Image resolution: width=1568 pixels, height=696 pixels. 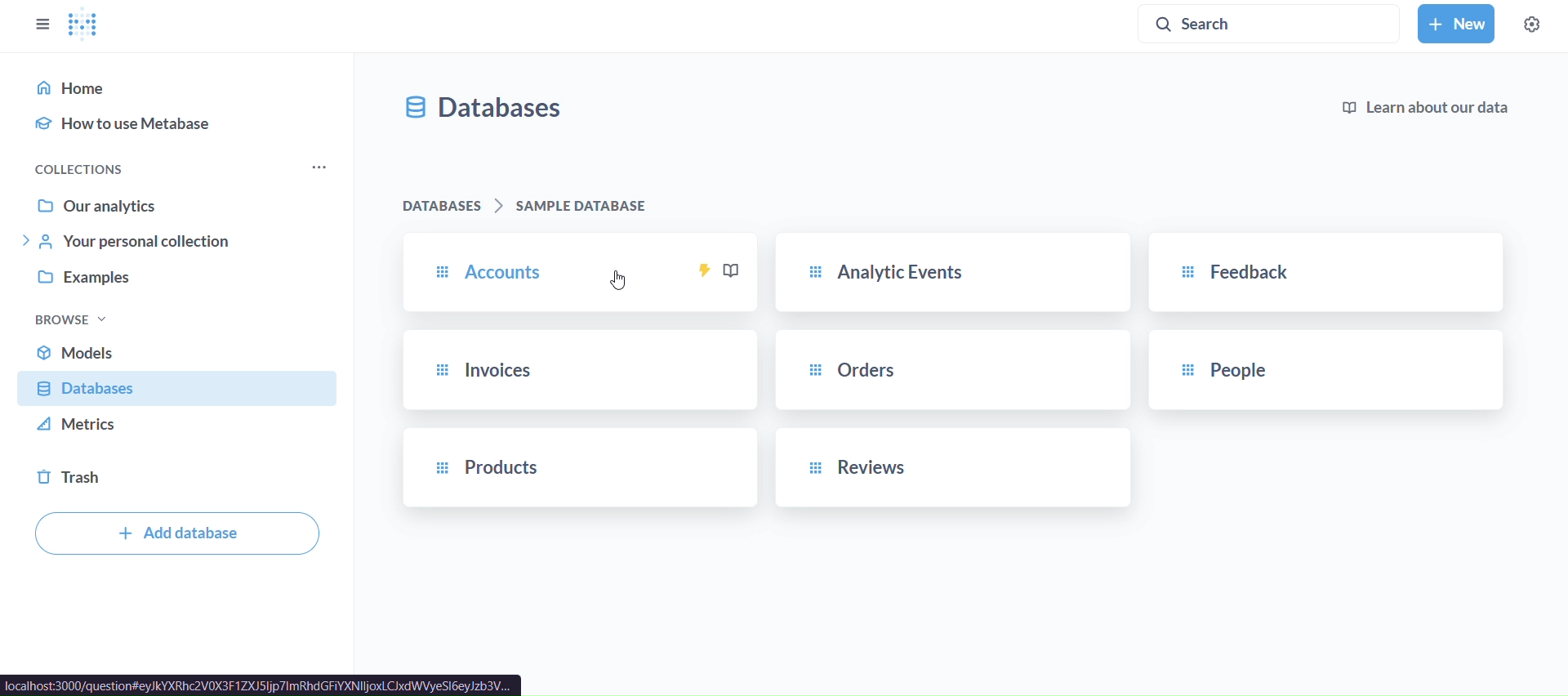 I want to click on trash, so click(x=180, y=477).